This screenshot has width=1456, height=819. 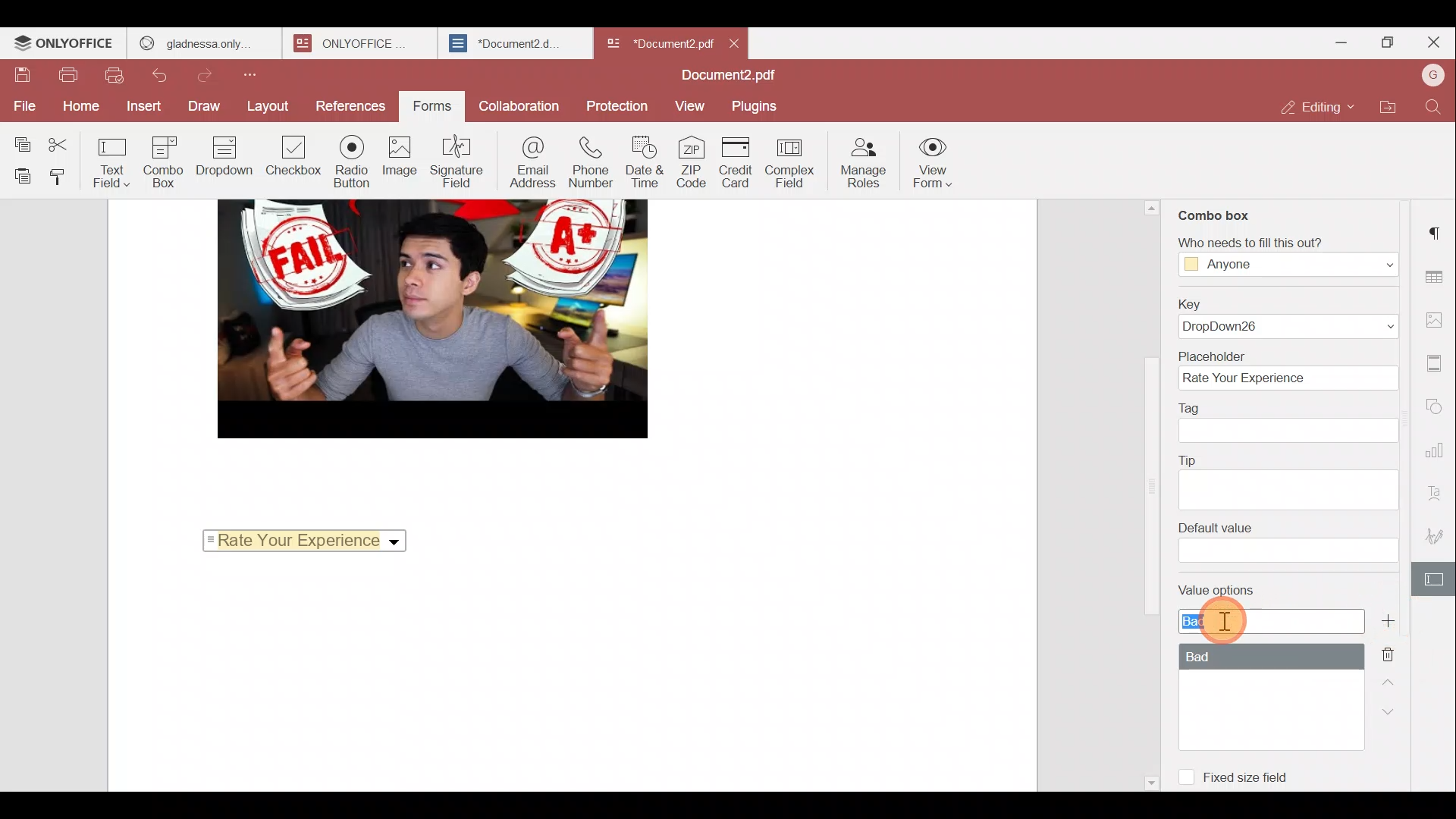 I want to click on Image, so click(x=400, y=159).